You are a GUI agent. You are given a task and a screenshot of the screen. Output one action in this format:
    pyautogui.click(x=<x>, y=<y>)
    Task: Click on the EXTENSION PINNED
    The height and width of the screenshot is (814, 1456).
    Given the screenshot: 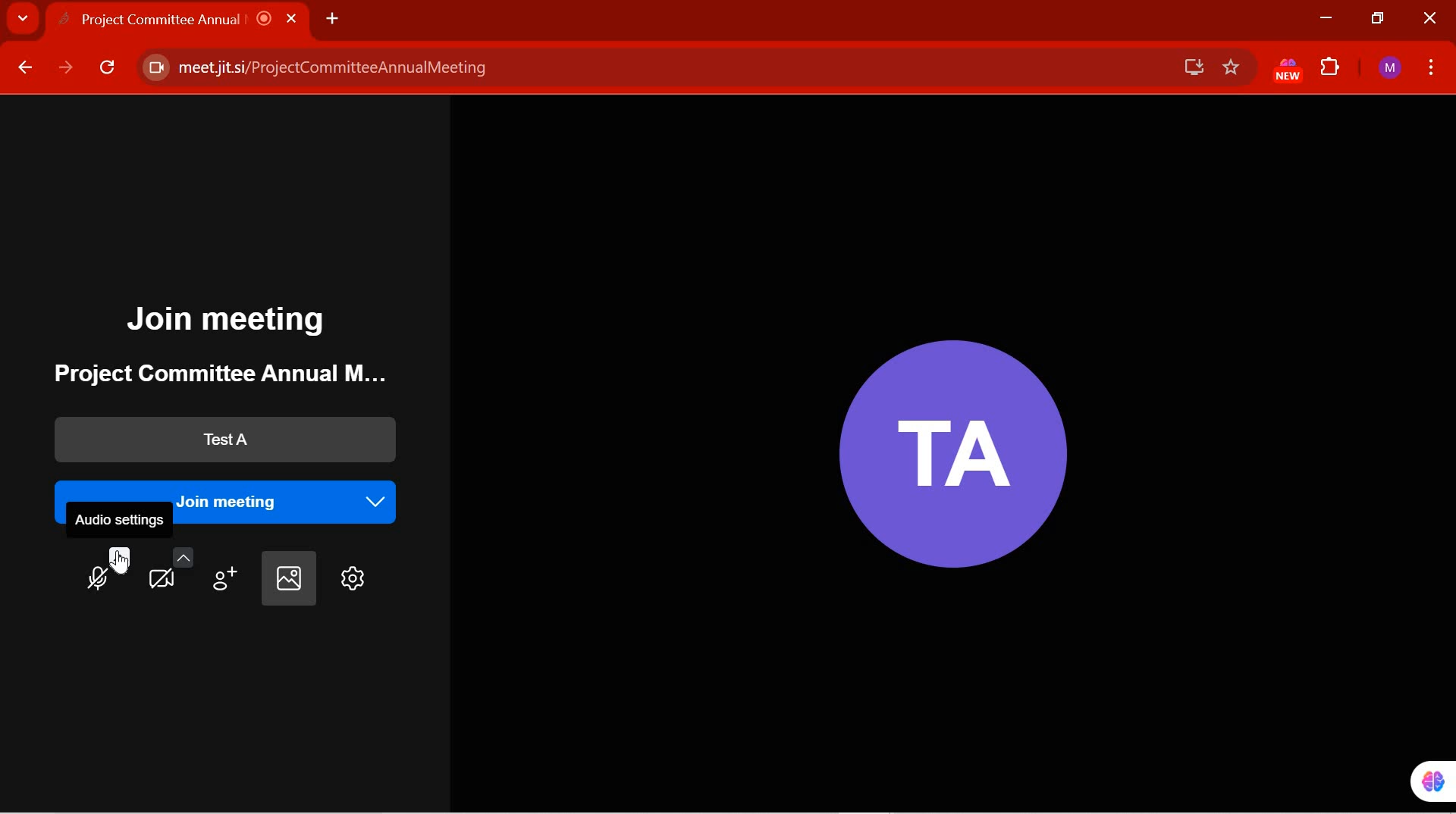 What is the action you would take?
    pyautogui.click(x=1283, y=70)
    